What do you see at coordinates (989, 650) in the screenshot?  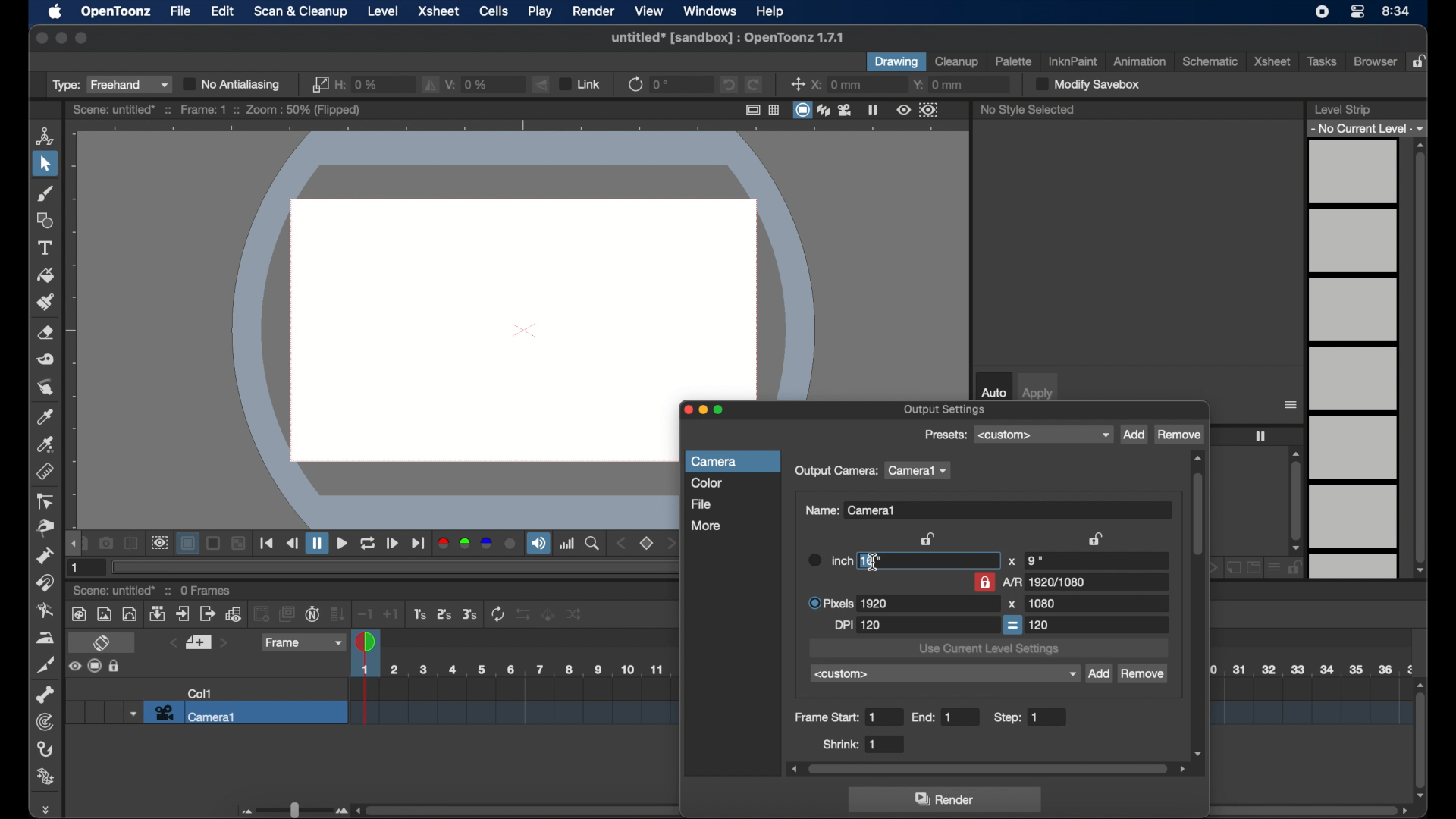 I see `use current level settings` at bounding box center [989, 650].